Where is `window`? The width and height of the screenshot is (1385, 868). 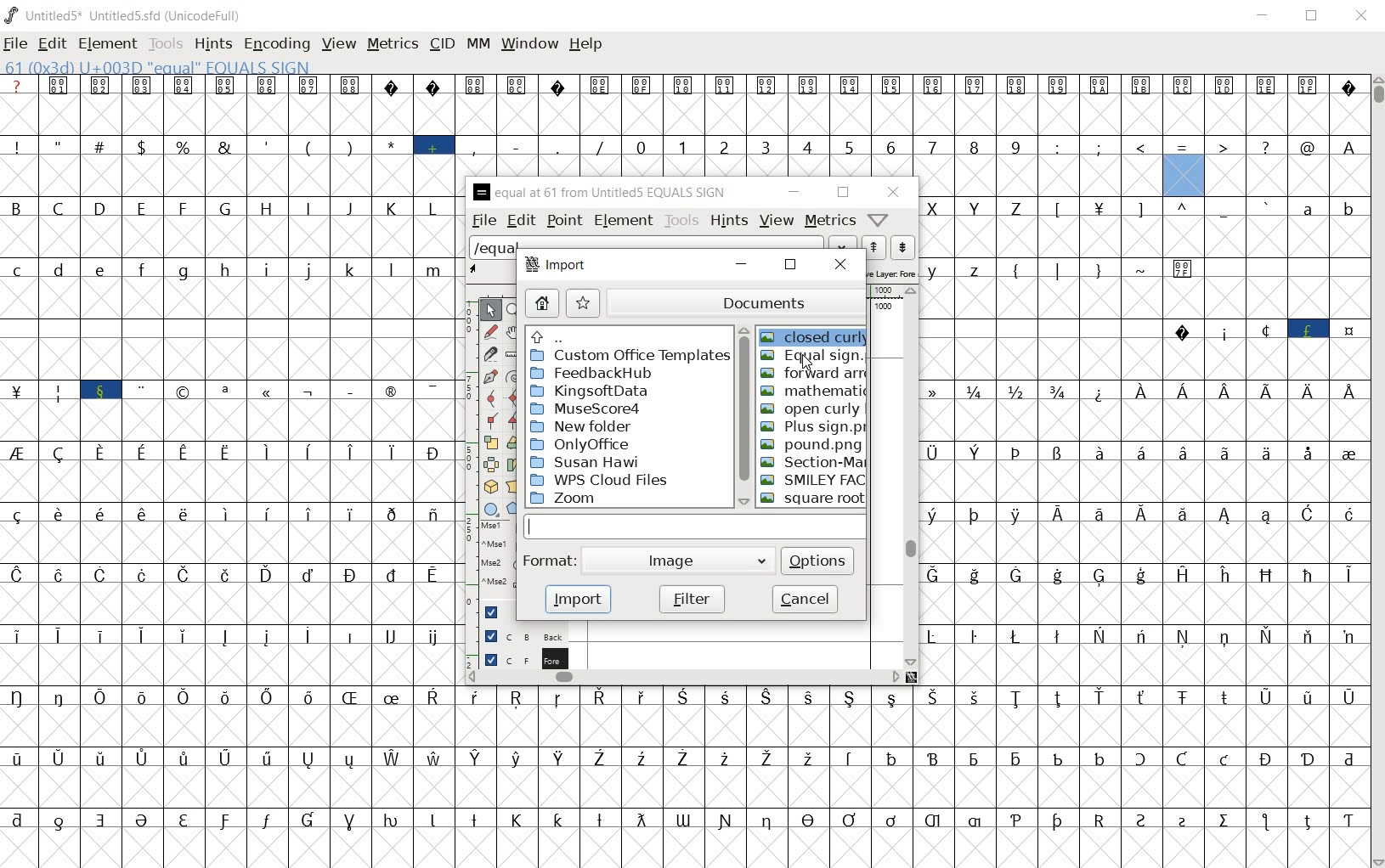 window is located at coordinates (529, 44).